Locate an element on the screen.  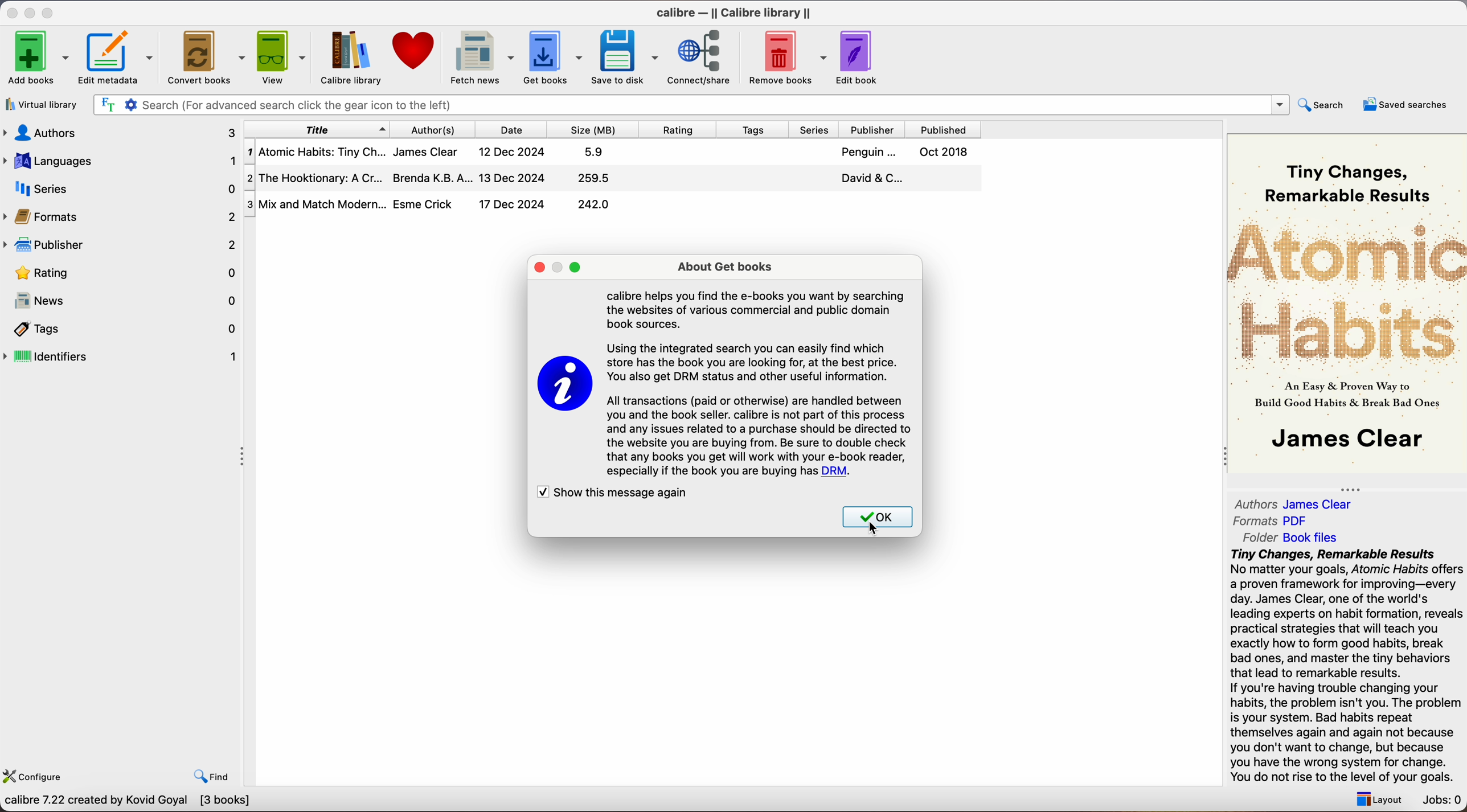
layout is located at coordinates (1376, 799).